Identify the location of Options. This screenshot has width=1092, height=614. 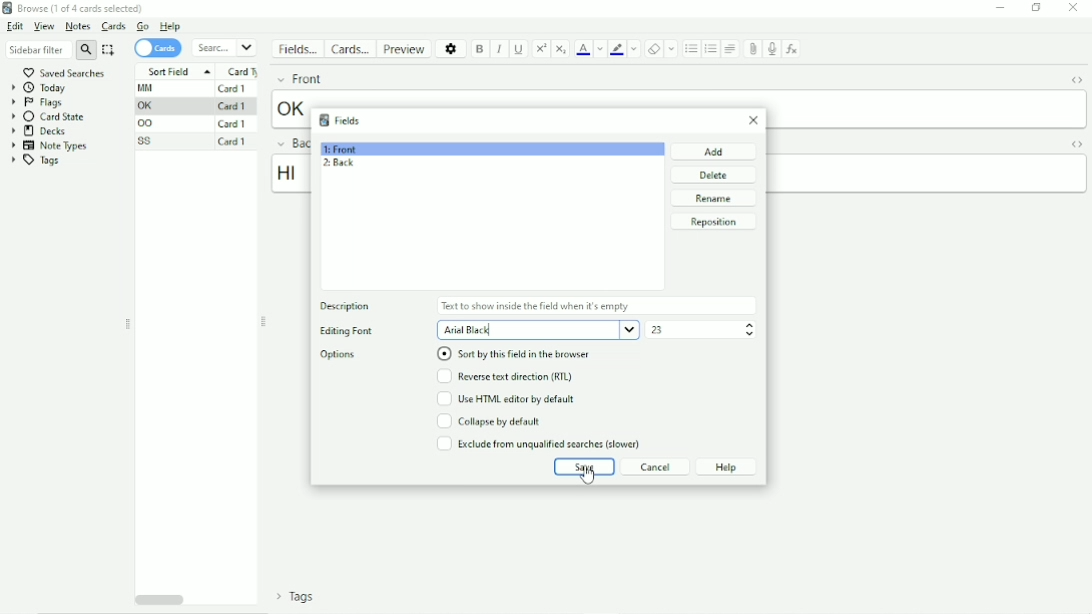
(338, 354).